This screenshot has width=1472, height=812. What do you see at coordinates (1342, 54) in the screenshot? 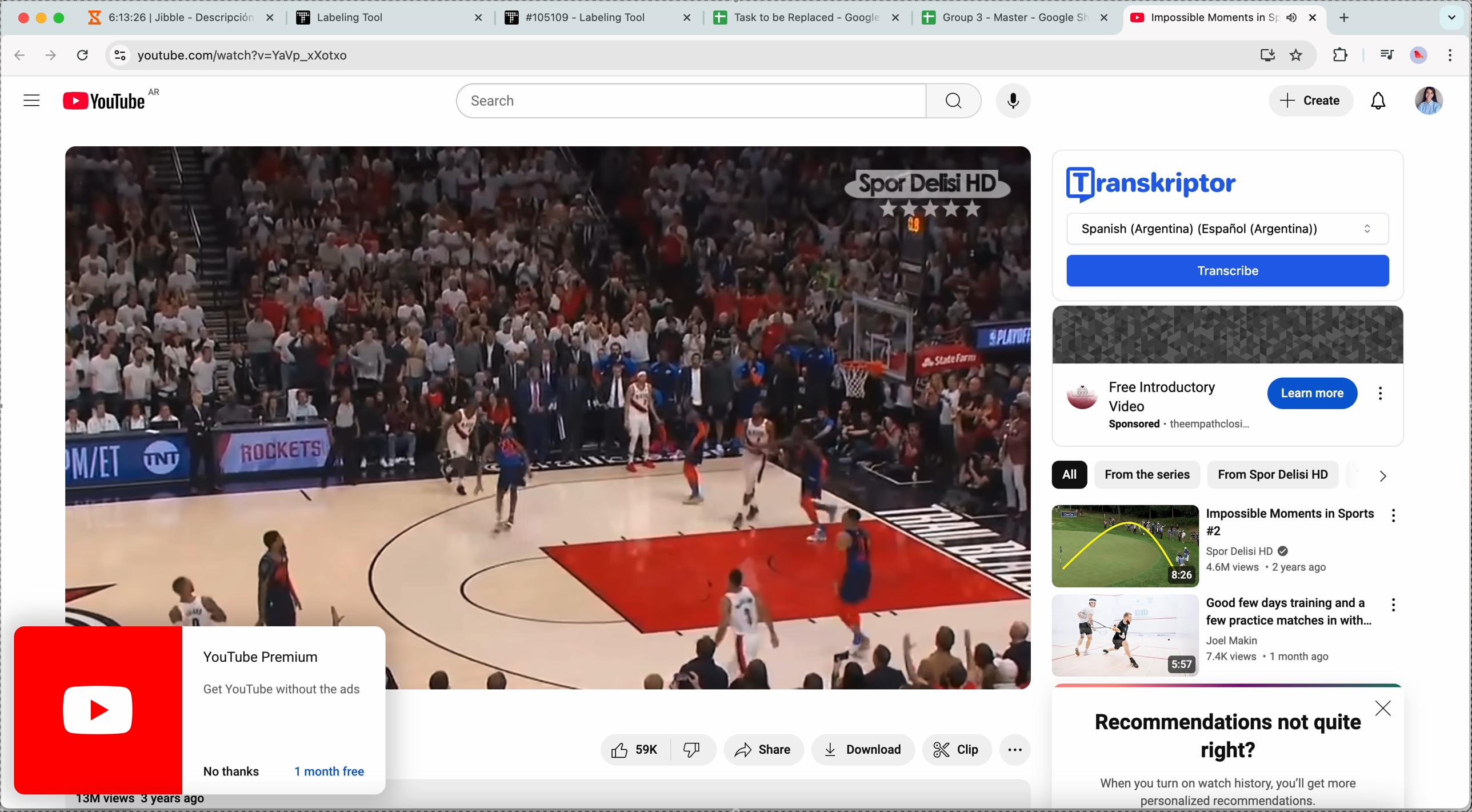
I see `extensions` at bounding box center [1342, 54].